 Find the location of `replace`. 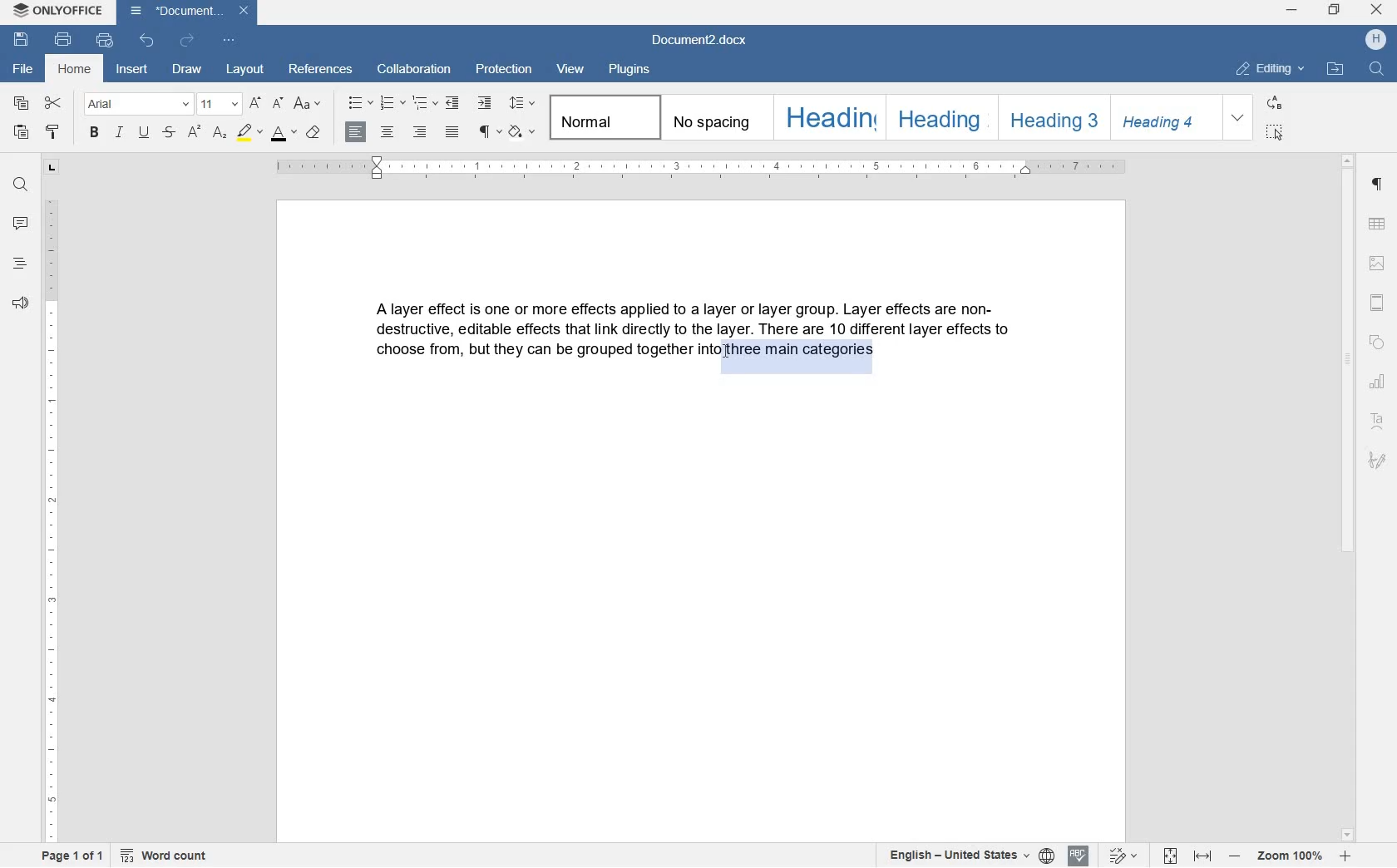

replace is located at coordinates (1276, 104).